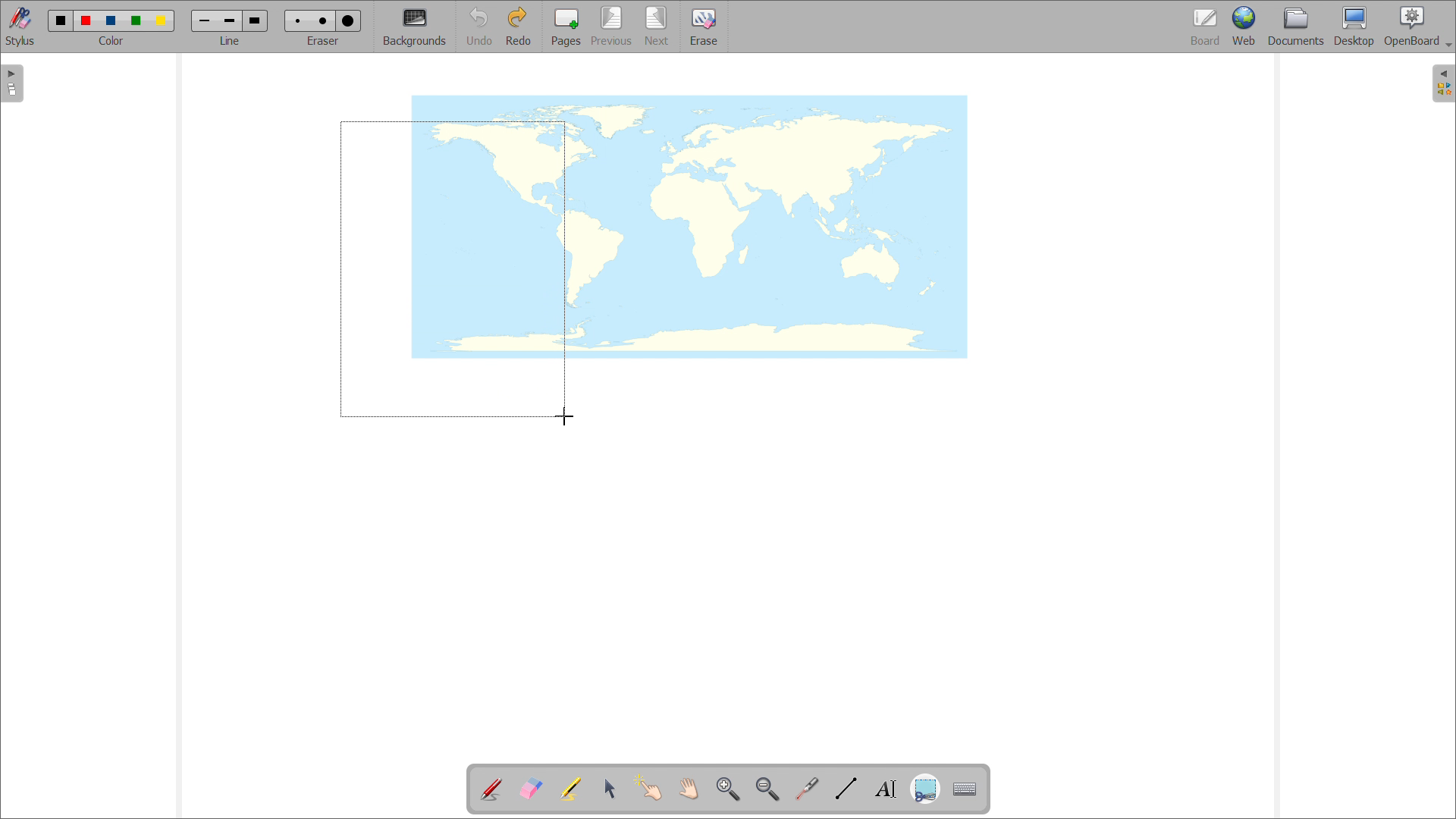 The image size is (1456, 819). What do you see at coordinates (111, 41) in the screenshot?
I see `color` at bounding box center [111, 41].